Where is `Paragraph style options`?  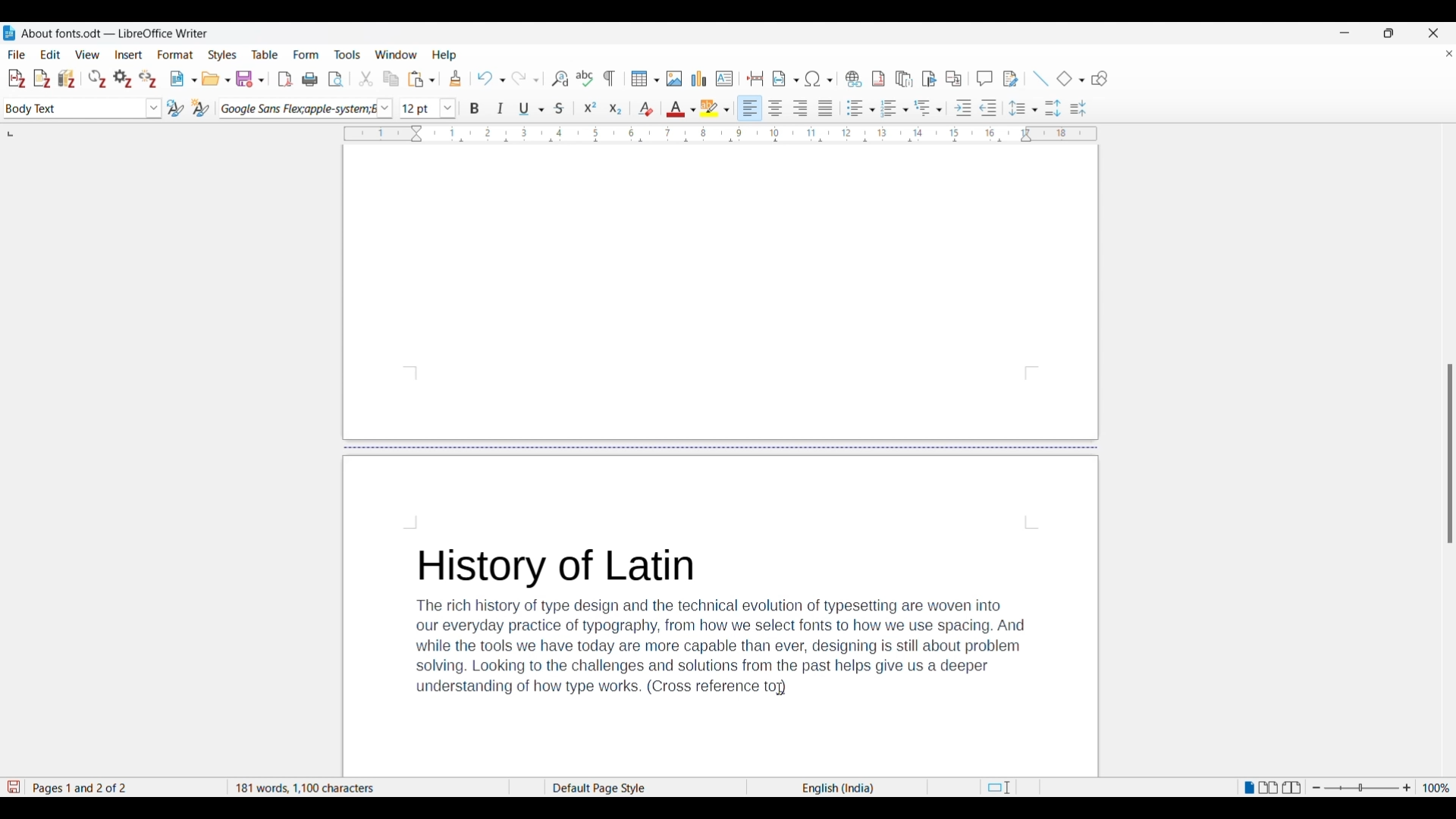
Paragraph style options is located at coordinates (154, 108).